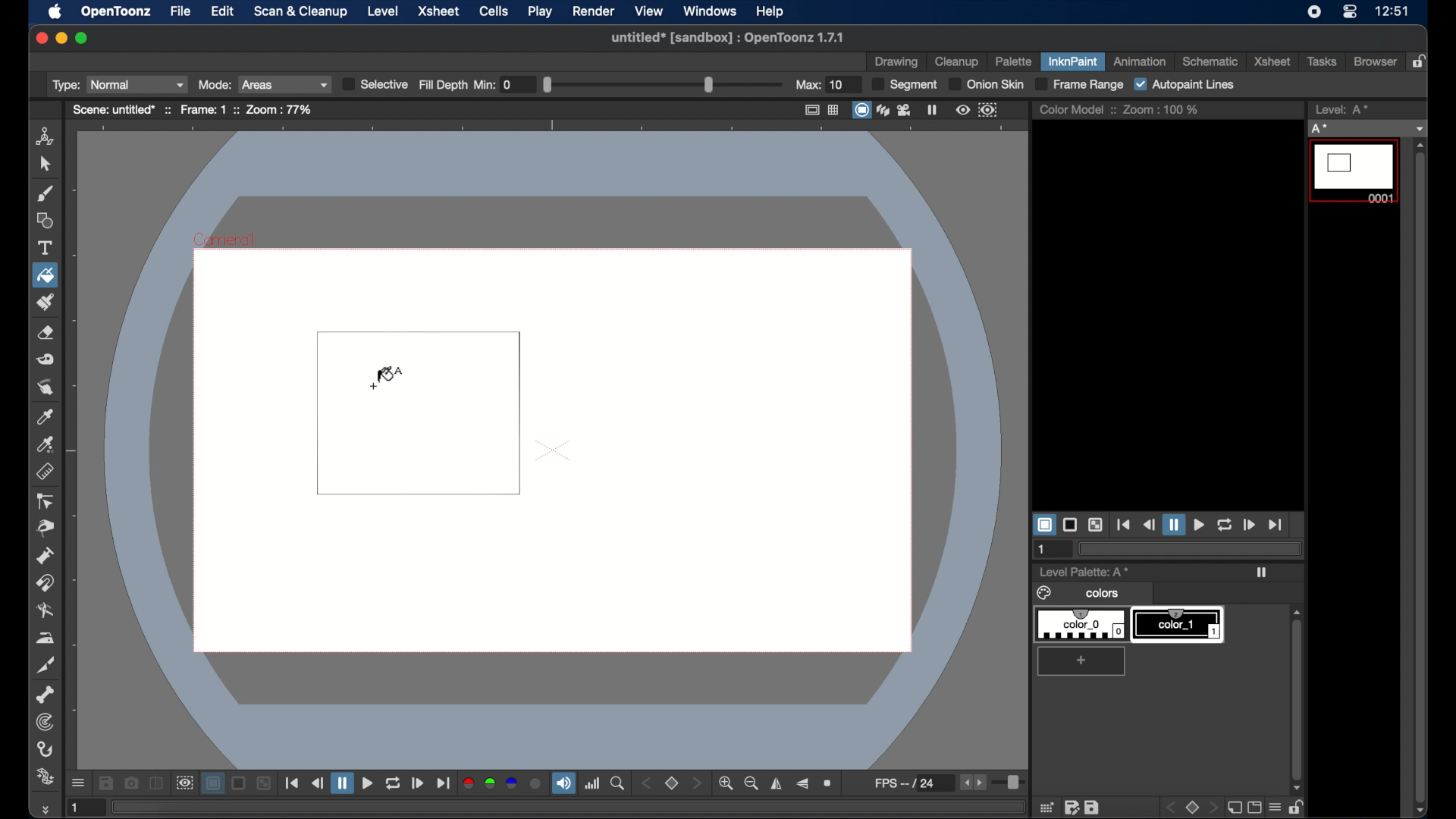 The height and width of the screenshot is (819, 1456). What do you see at coordinates (45, 722) in the screenshot?
I see `tracker tool` at bounding box center [45, 722].